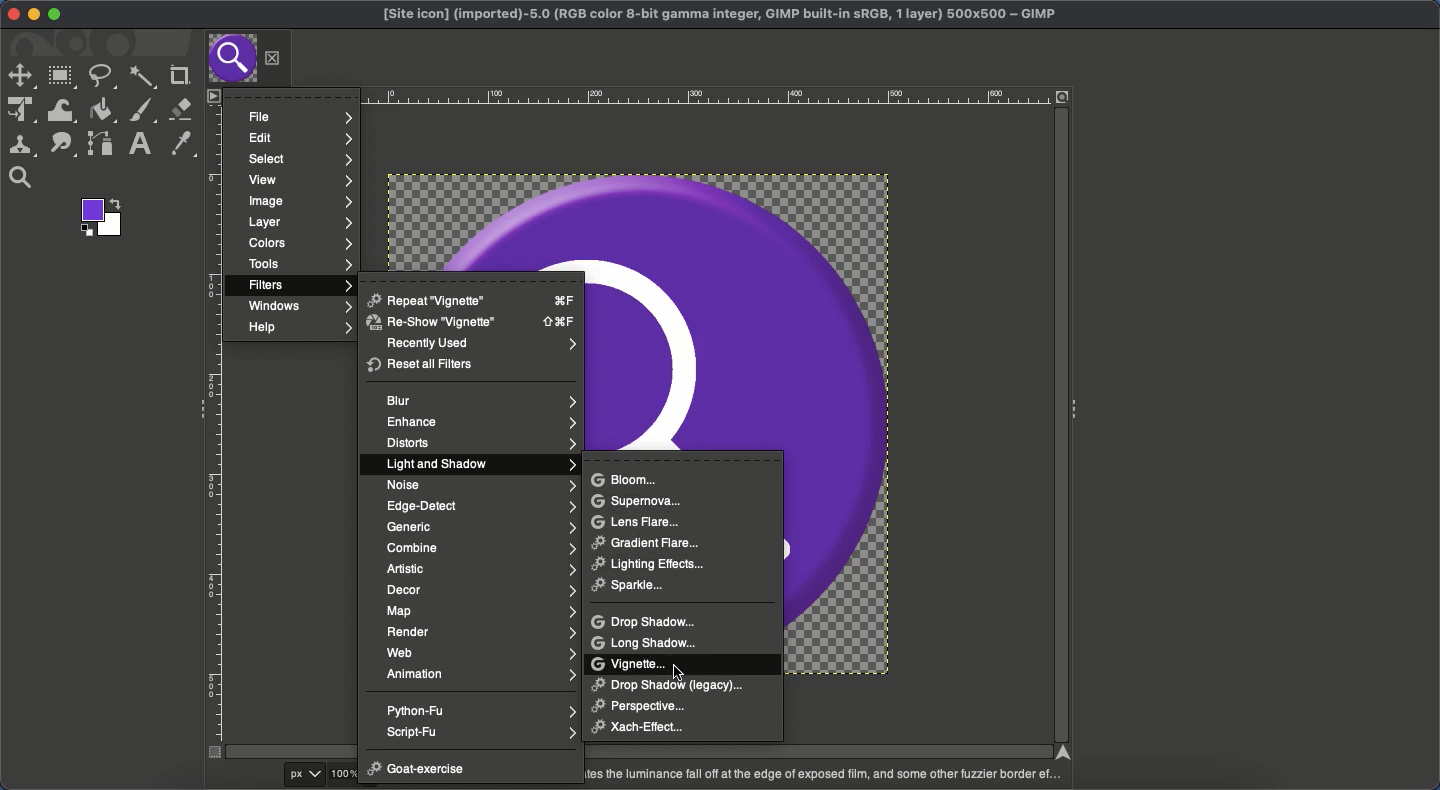 This screenshot has width=1440, height=790. I want to click on Windows, so click(297, 307).